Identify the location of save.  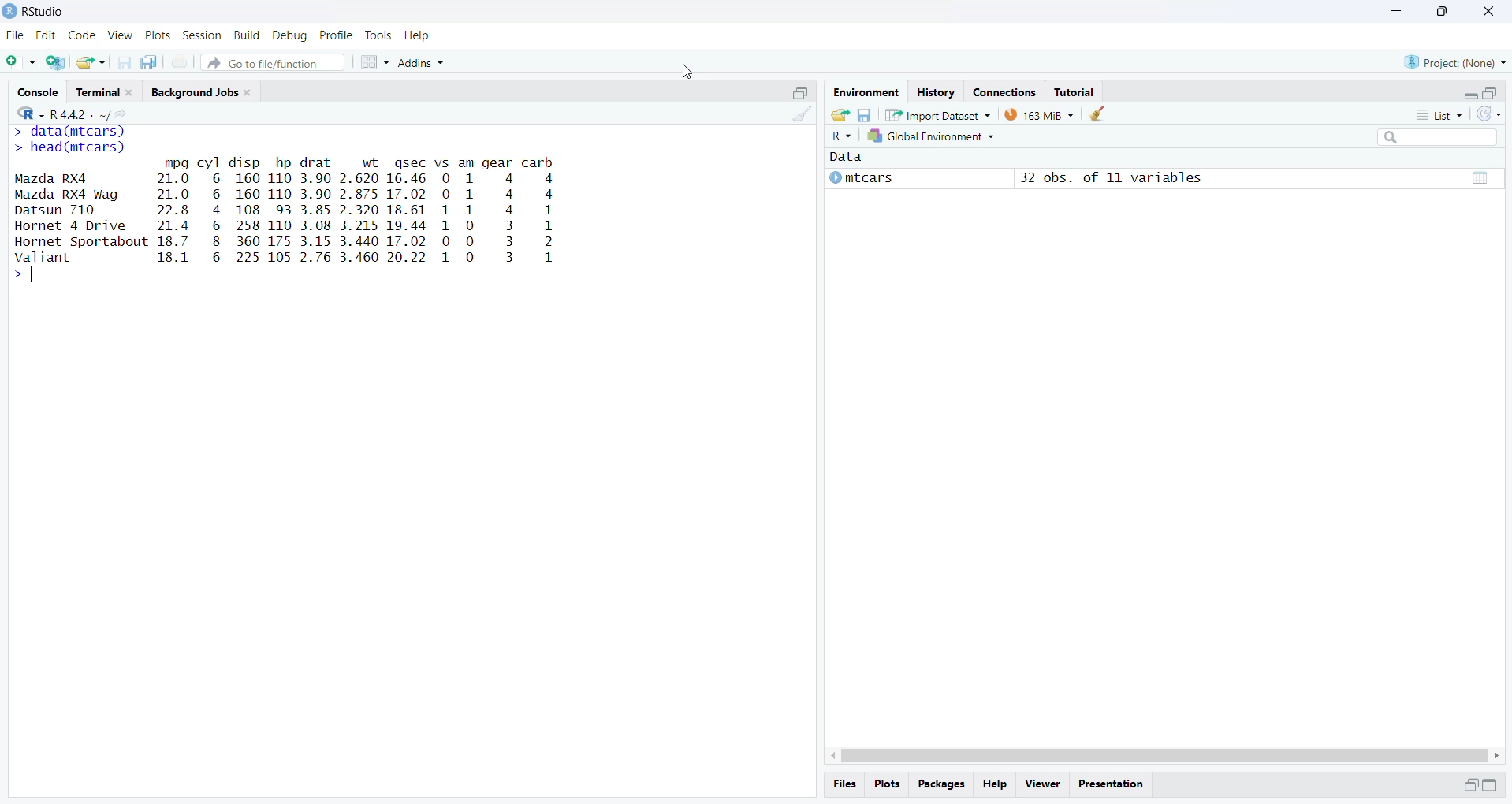
(124, 62).